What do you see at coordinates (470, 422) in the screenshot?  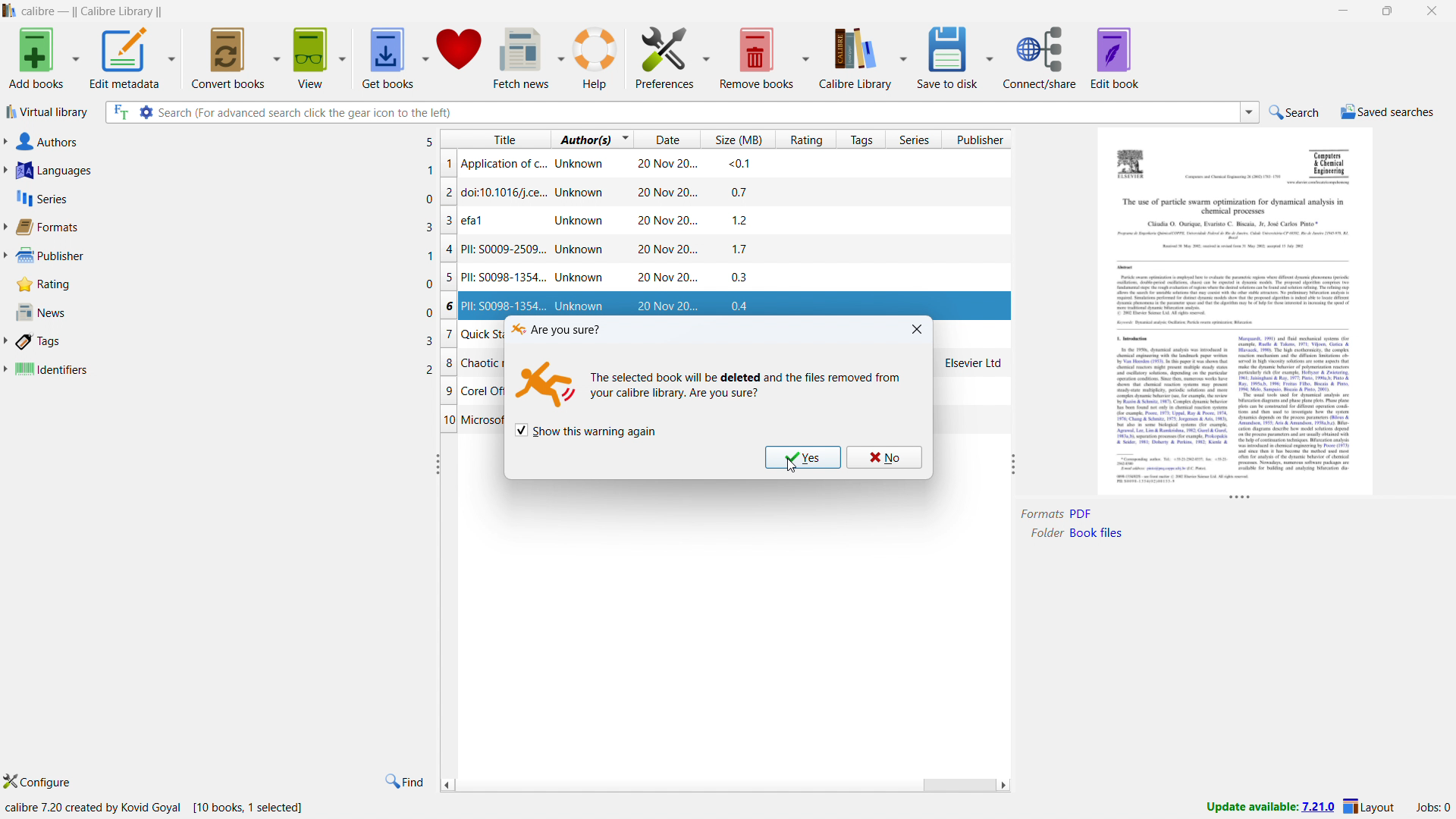 I see `Microsoft Power...` at bounding box center [470, 422].